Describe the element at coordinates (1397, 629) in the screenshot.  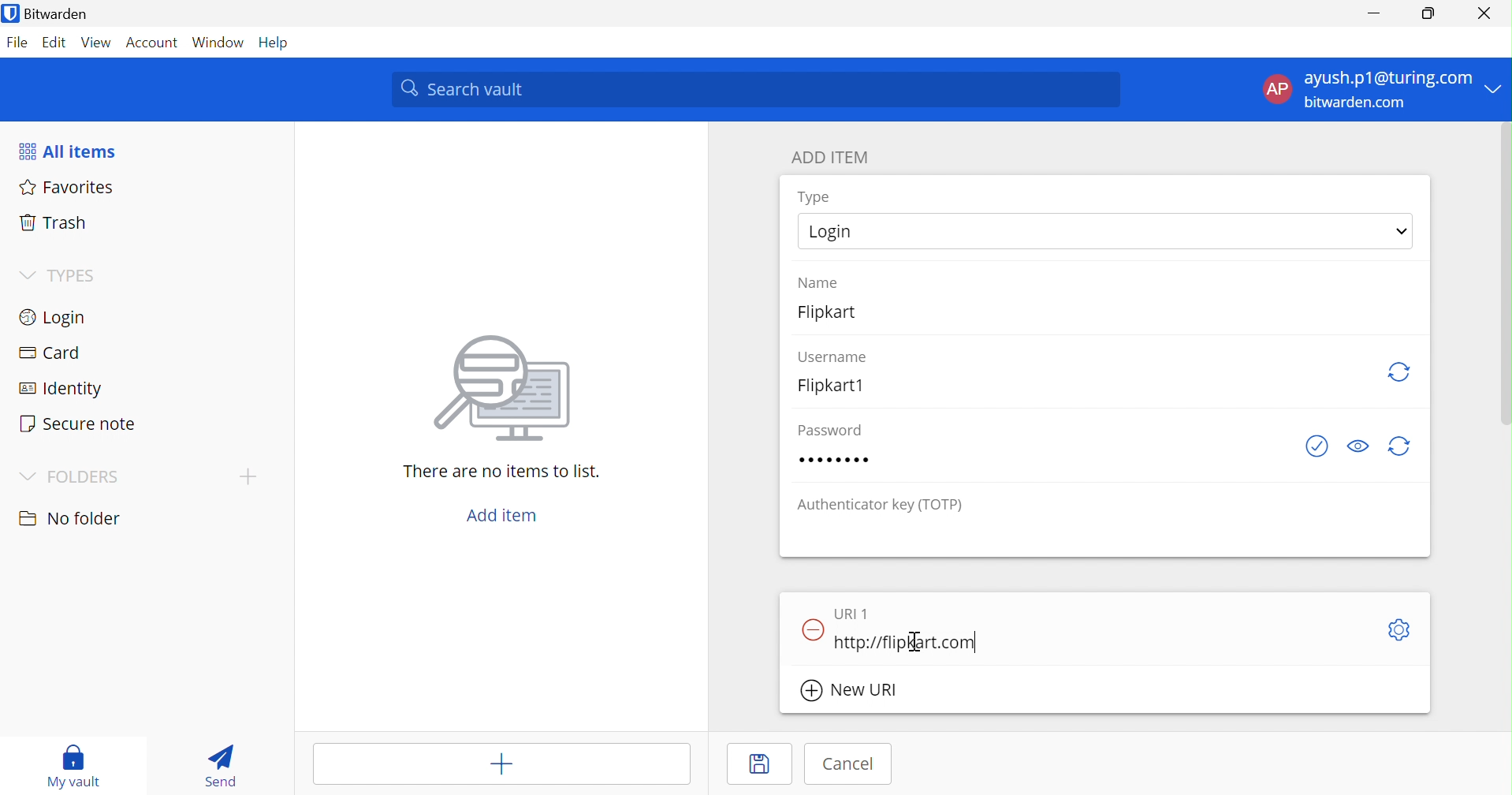
I see `Toggleoptions` at that location.